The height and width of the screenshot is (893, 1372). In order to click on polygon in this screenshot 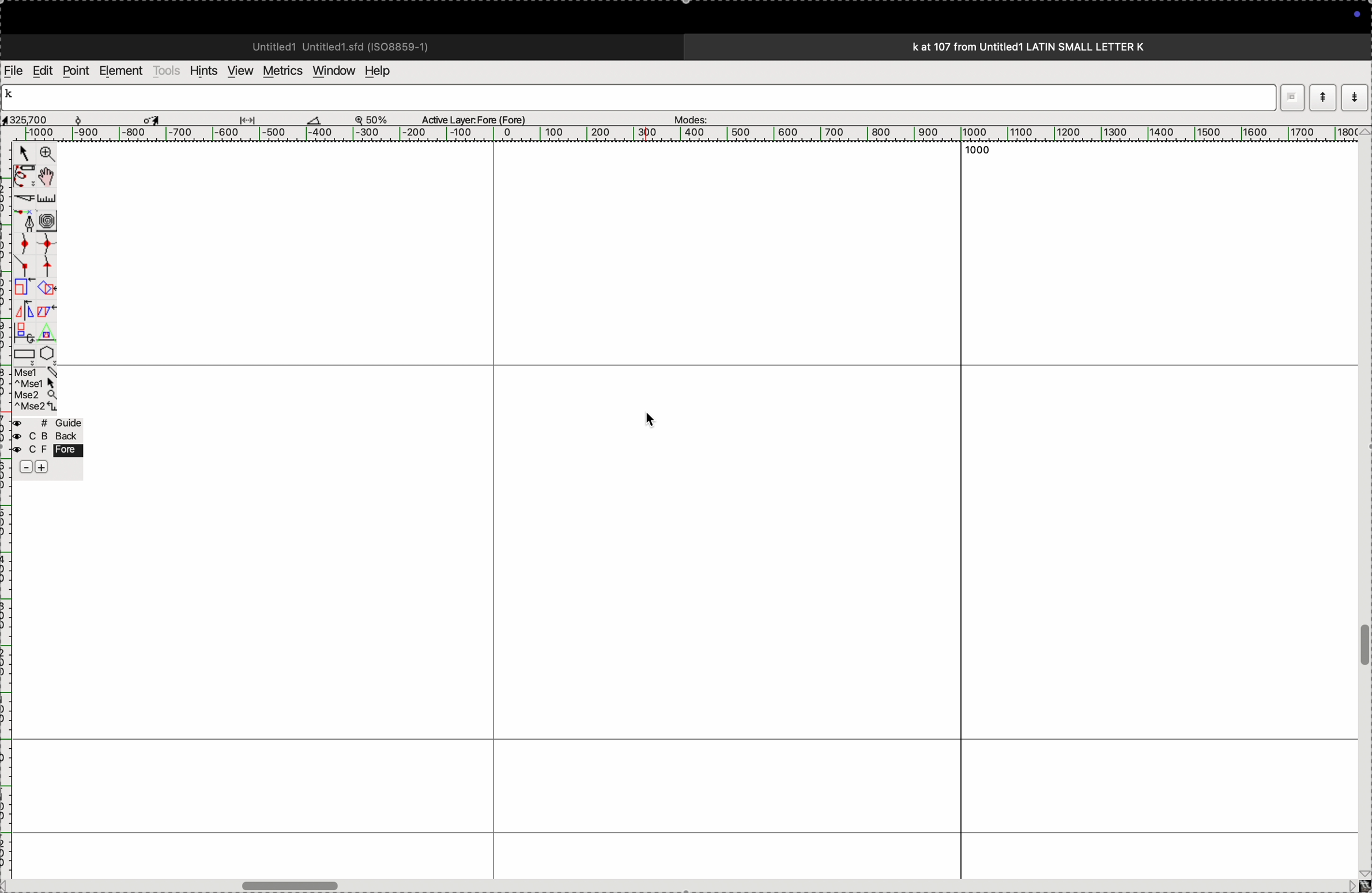, I will do `click(47, 353)`.